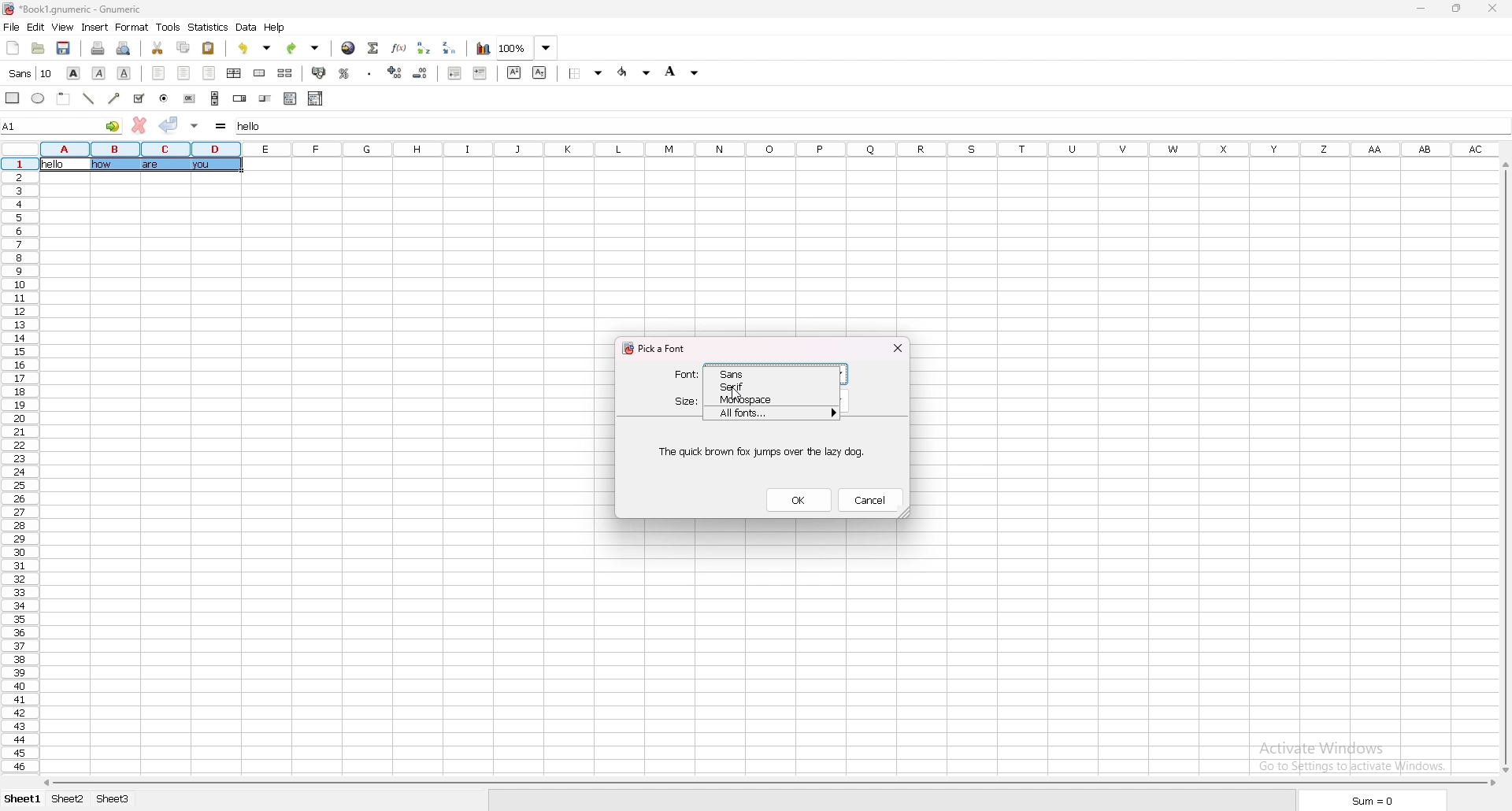 This screenshot has height=811, width=1512. I want to click on formula, so click(221, 125).